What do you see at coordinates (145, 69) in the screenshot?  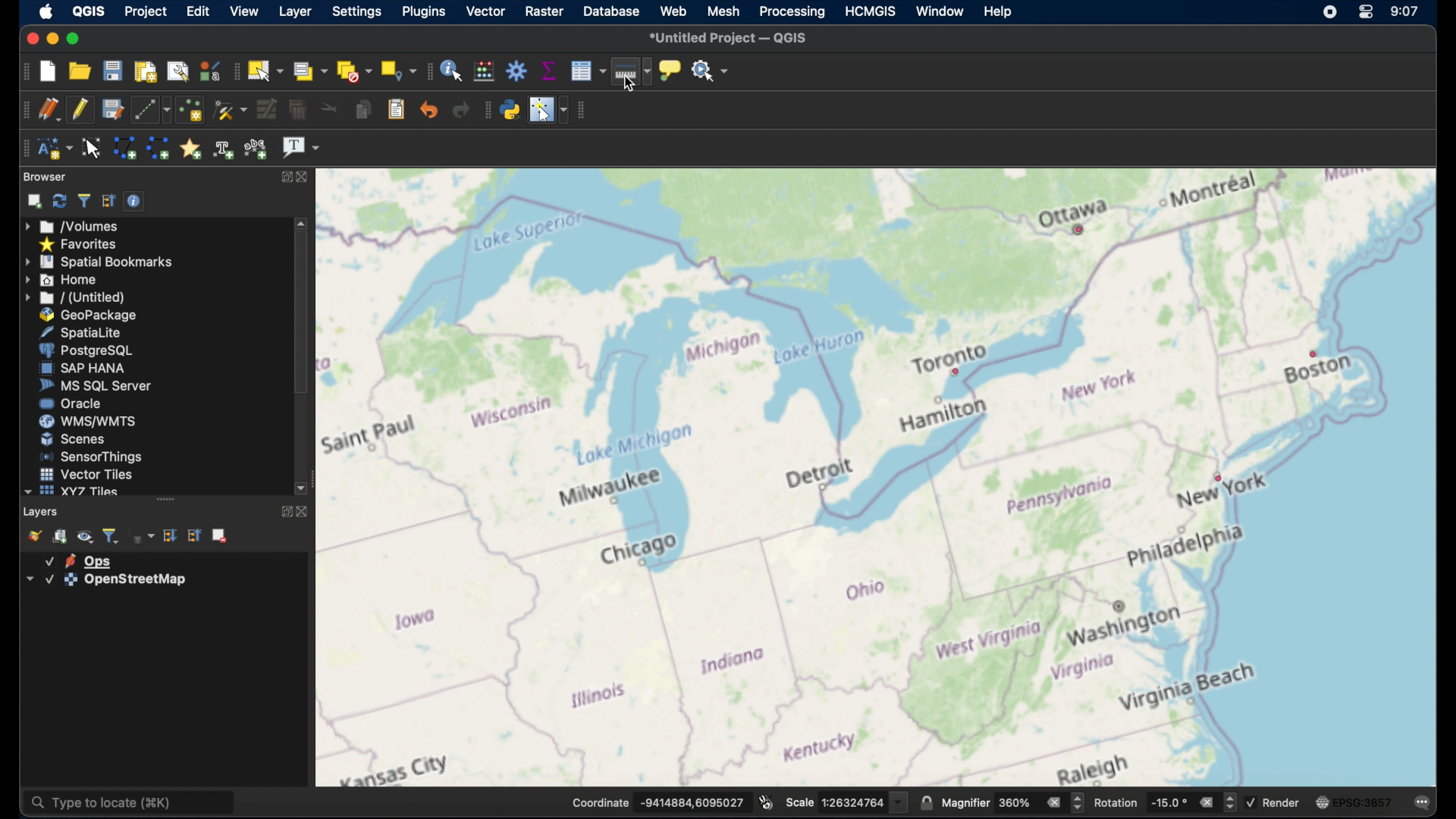 I see `new print layout` at bounding box center [145, 69].